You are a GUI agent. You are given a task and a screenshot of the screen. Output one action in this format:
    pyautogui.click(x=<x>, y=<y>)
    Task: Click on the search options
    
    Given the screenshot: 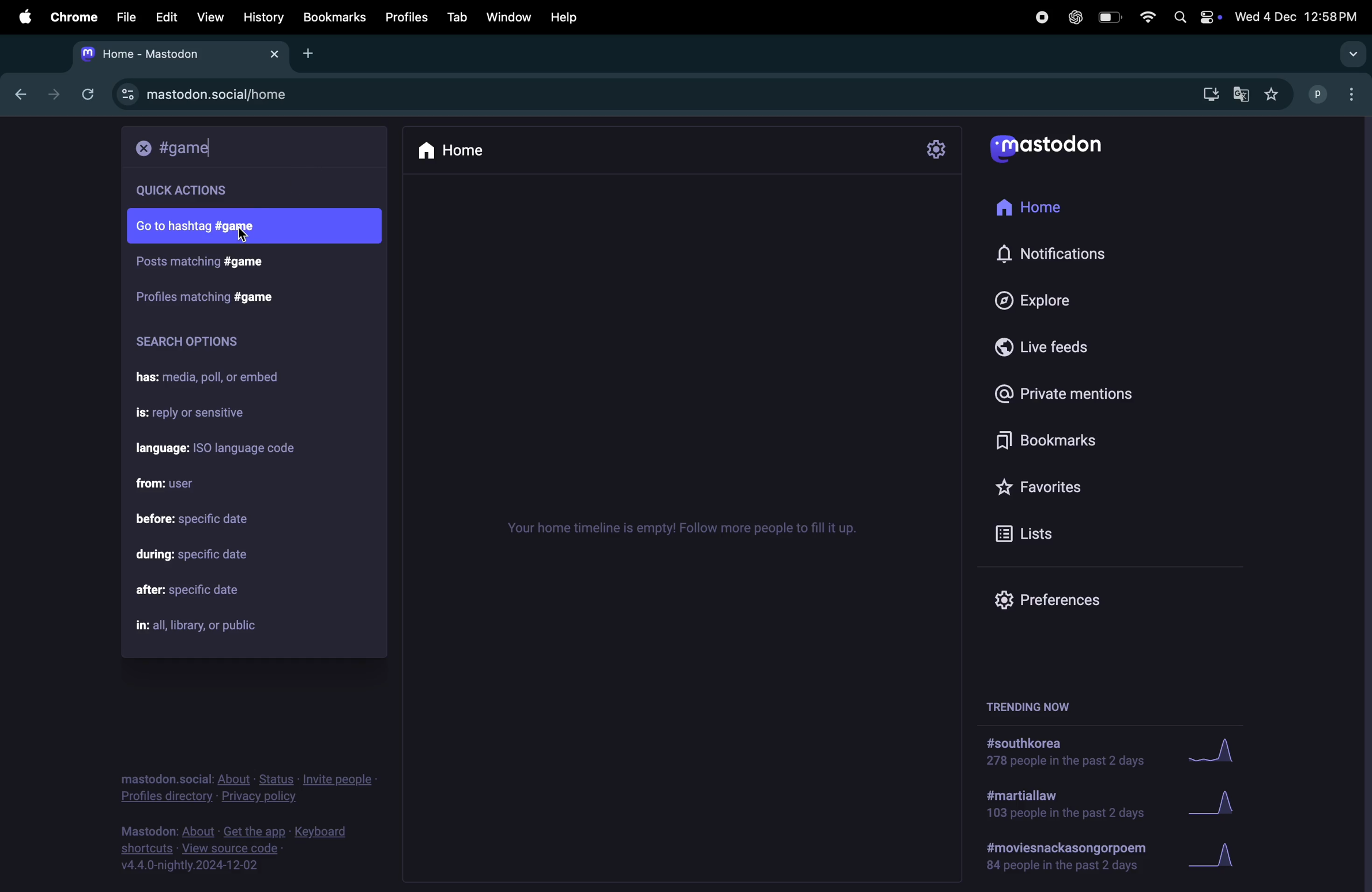 What is the action you would take?
    pyautogui.click(x=193, y=345)
    